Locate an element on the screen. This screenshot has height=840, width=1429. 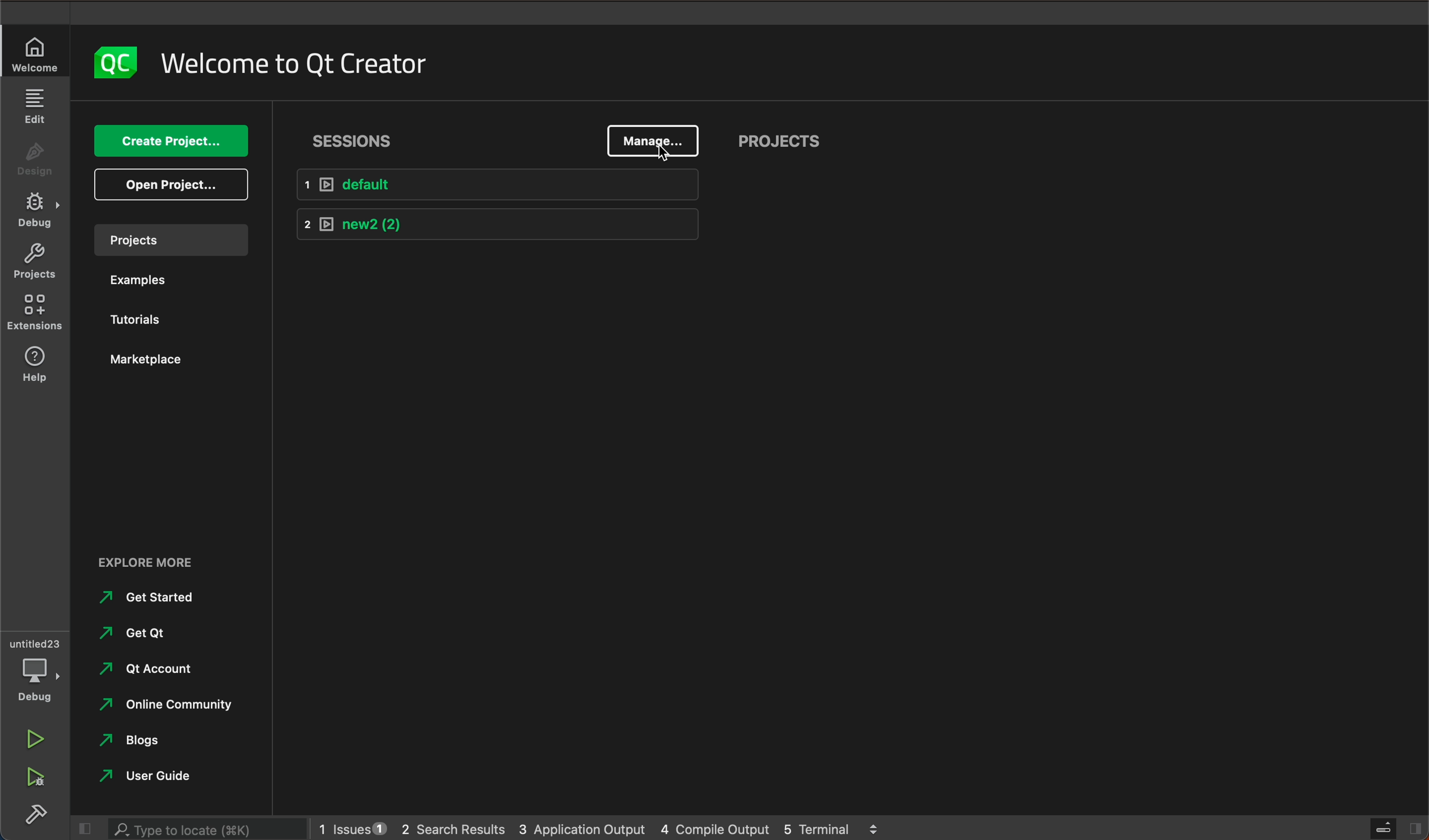
EXPLORE MORE is located at coordinates (150, 562).